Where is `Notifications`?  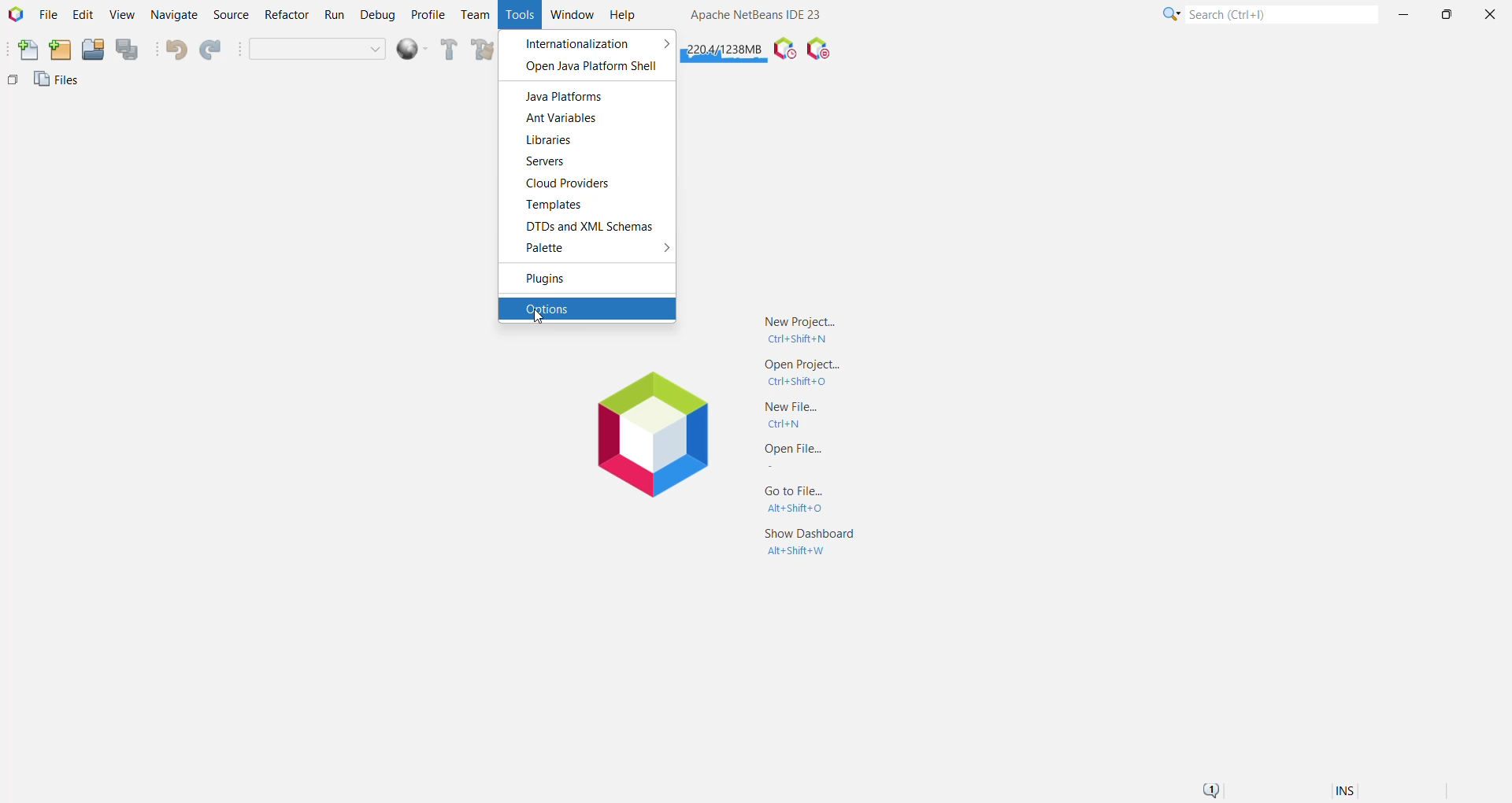 Notifications is located at coordinates (1210, 791).